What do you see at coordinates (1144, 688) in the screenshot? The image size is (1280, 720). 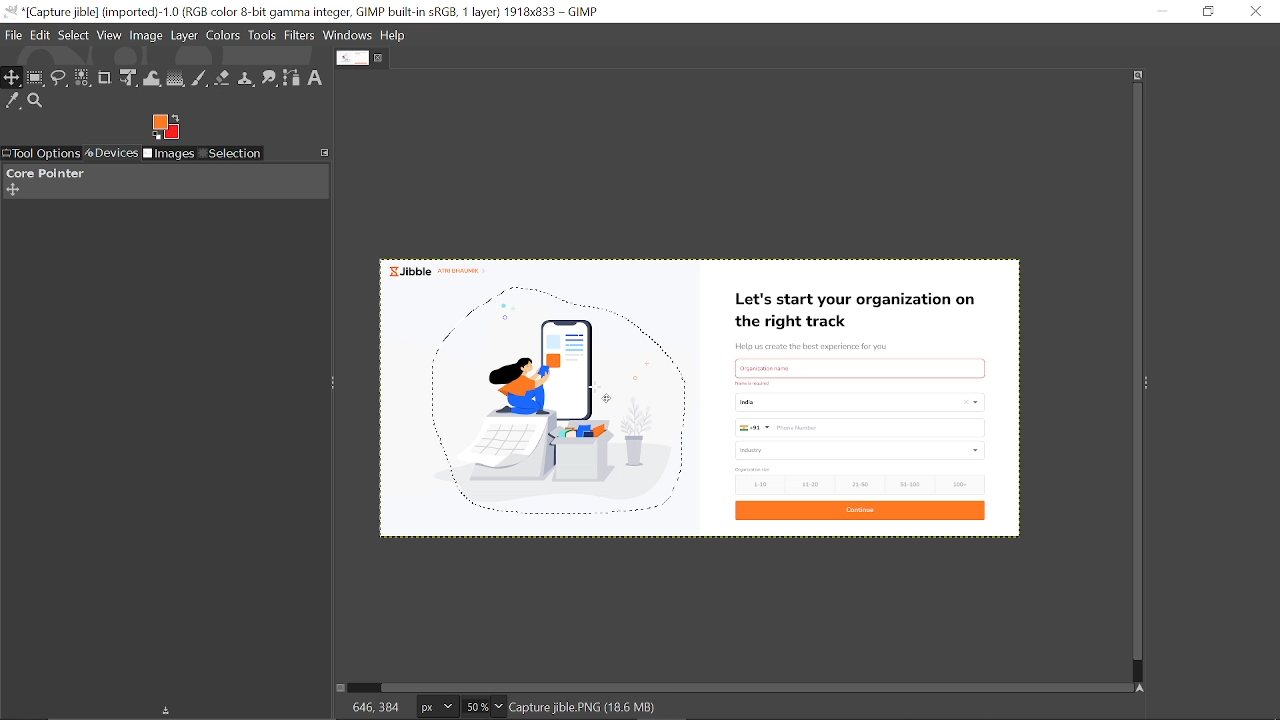 I see `Navigate this window` at bounding box center [1144, 688].